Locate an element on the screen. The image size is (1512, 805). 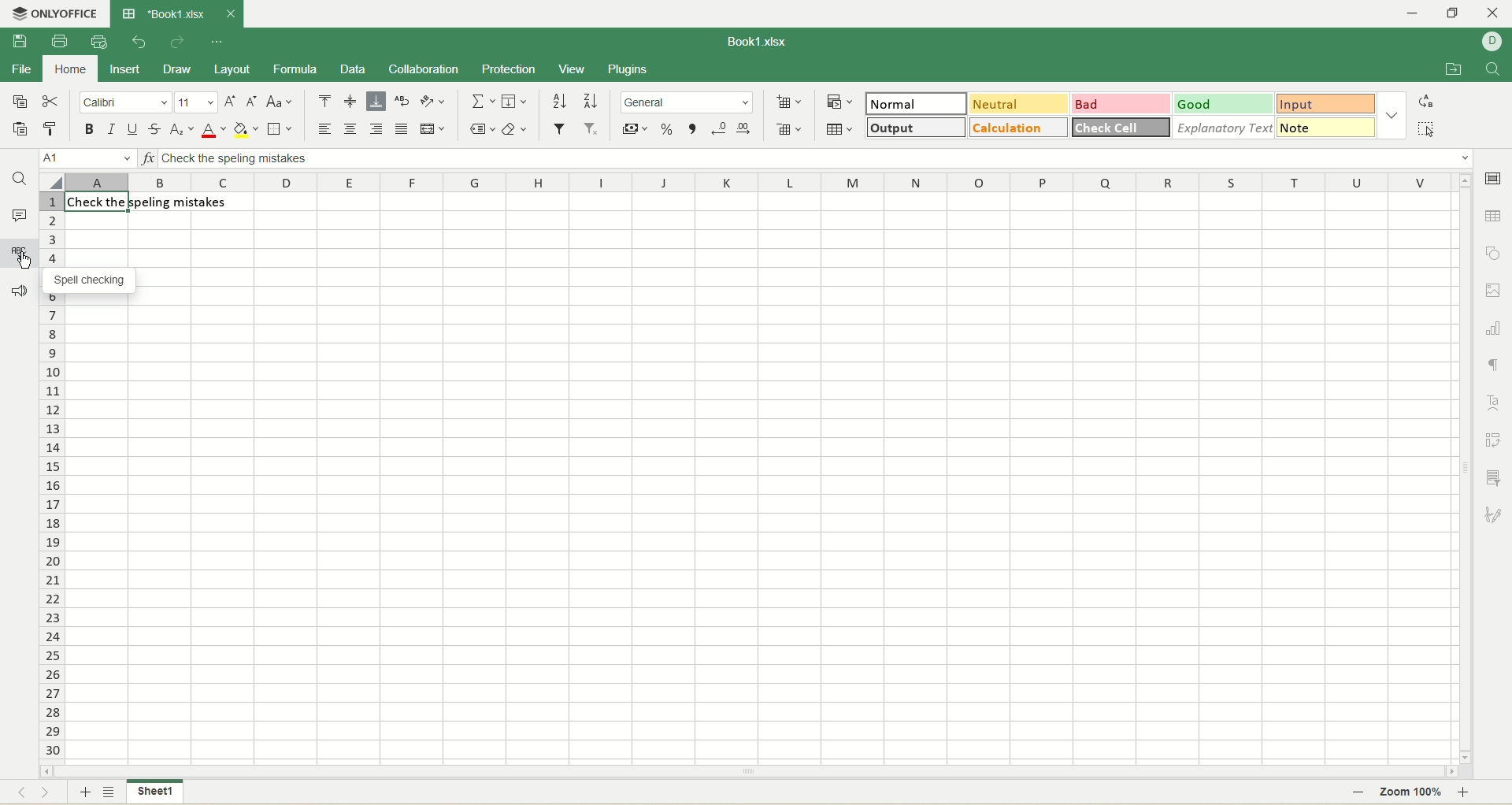
align top is located at coordinates (324, 99).